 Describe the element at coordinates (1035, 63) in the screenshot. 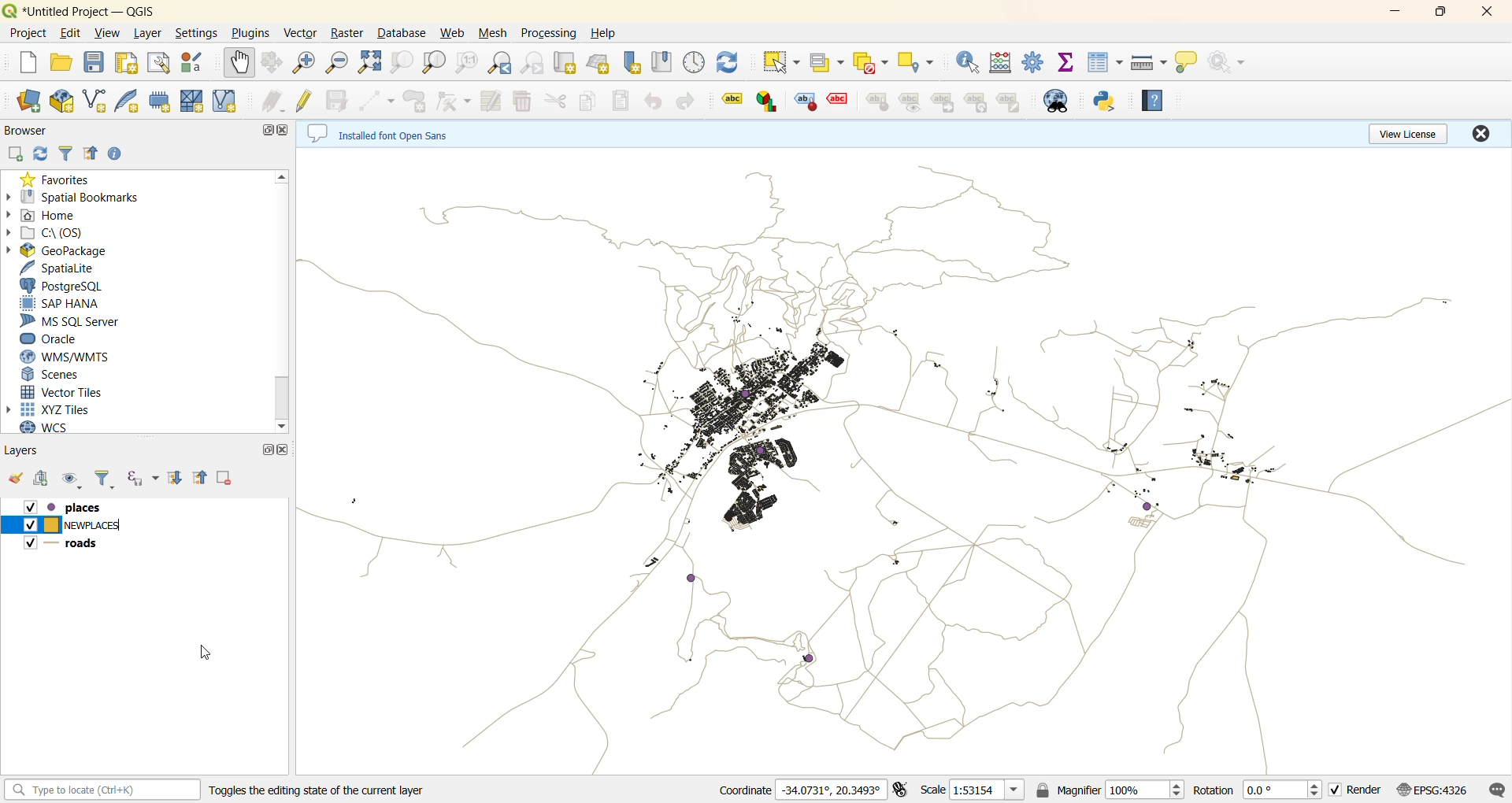

I see `toolbox` at that location.